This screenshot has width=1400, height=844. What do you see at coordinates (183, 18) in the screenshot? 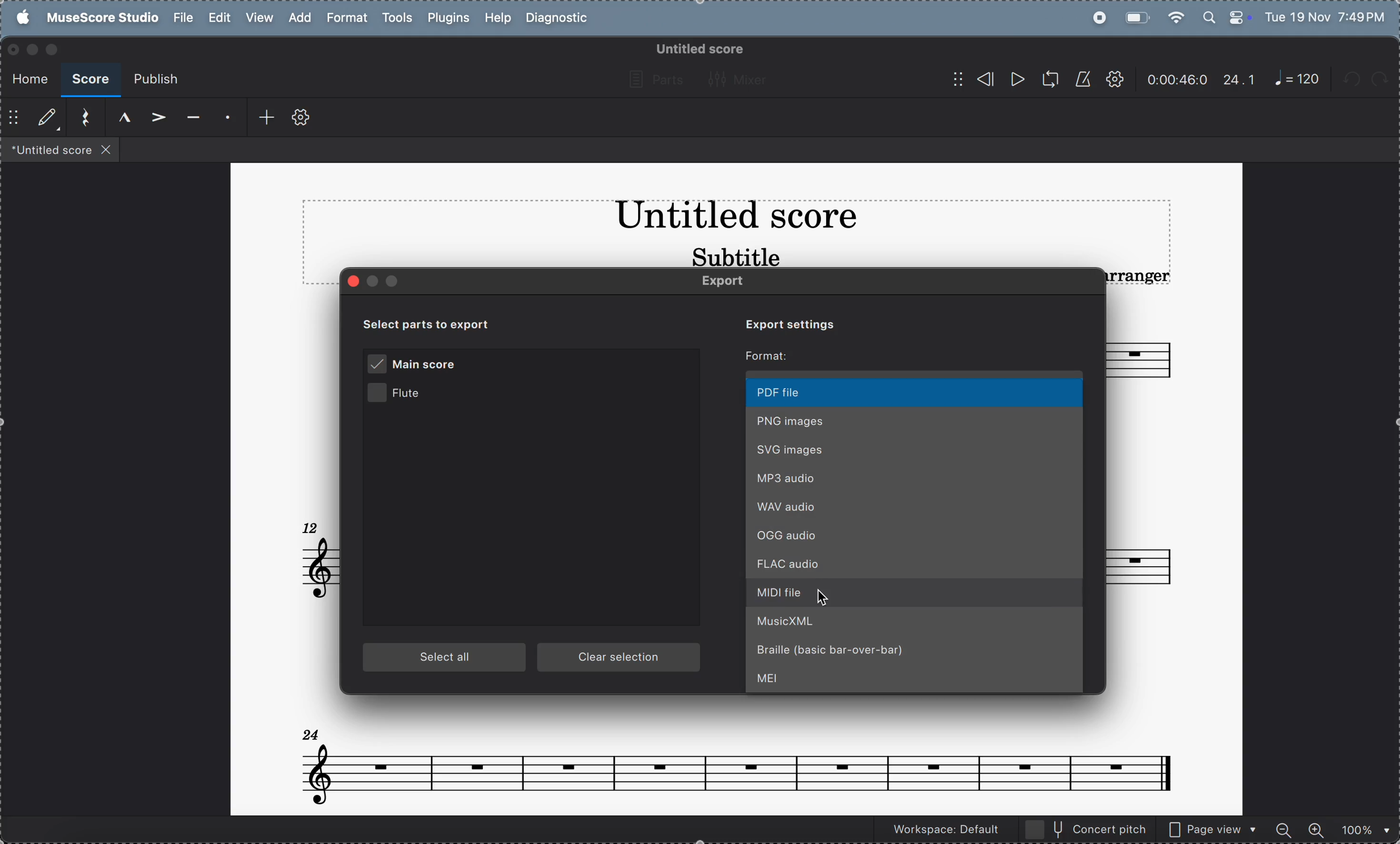
I see `file` at bounding box center [183, 18].